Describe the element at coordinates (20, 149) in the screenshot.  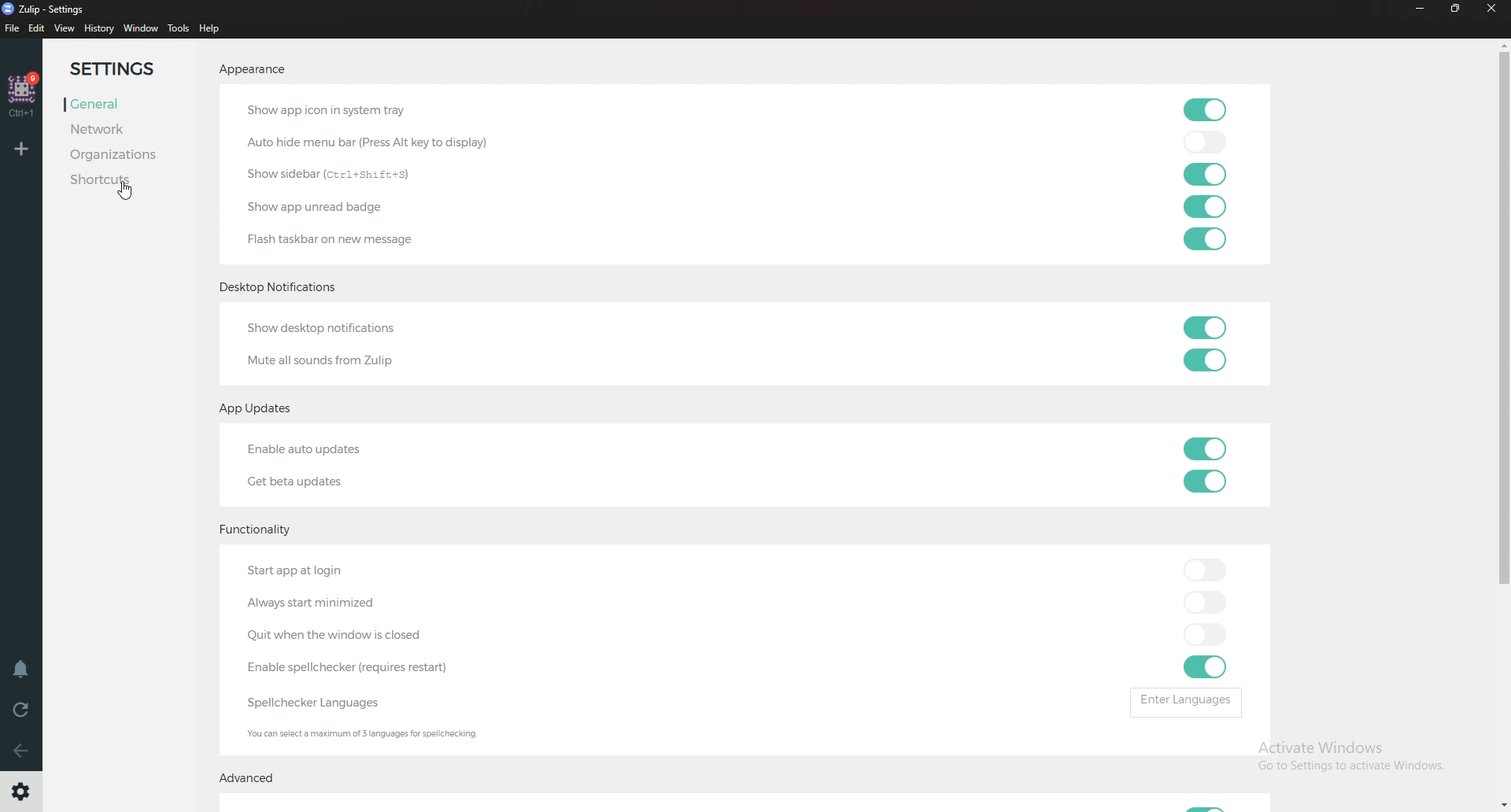
I see `Add organization` at that location.